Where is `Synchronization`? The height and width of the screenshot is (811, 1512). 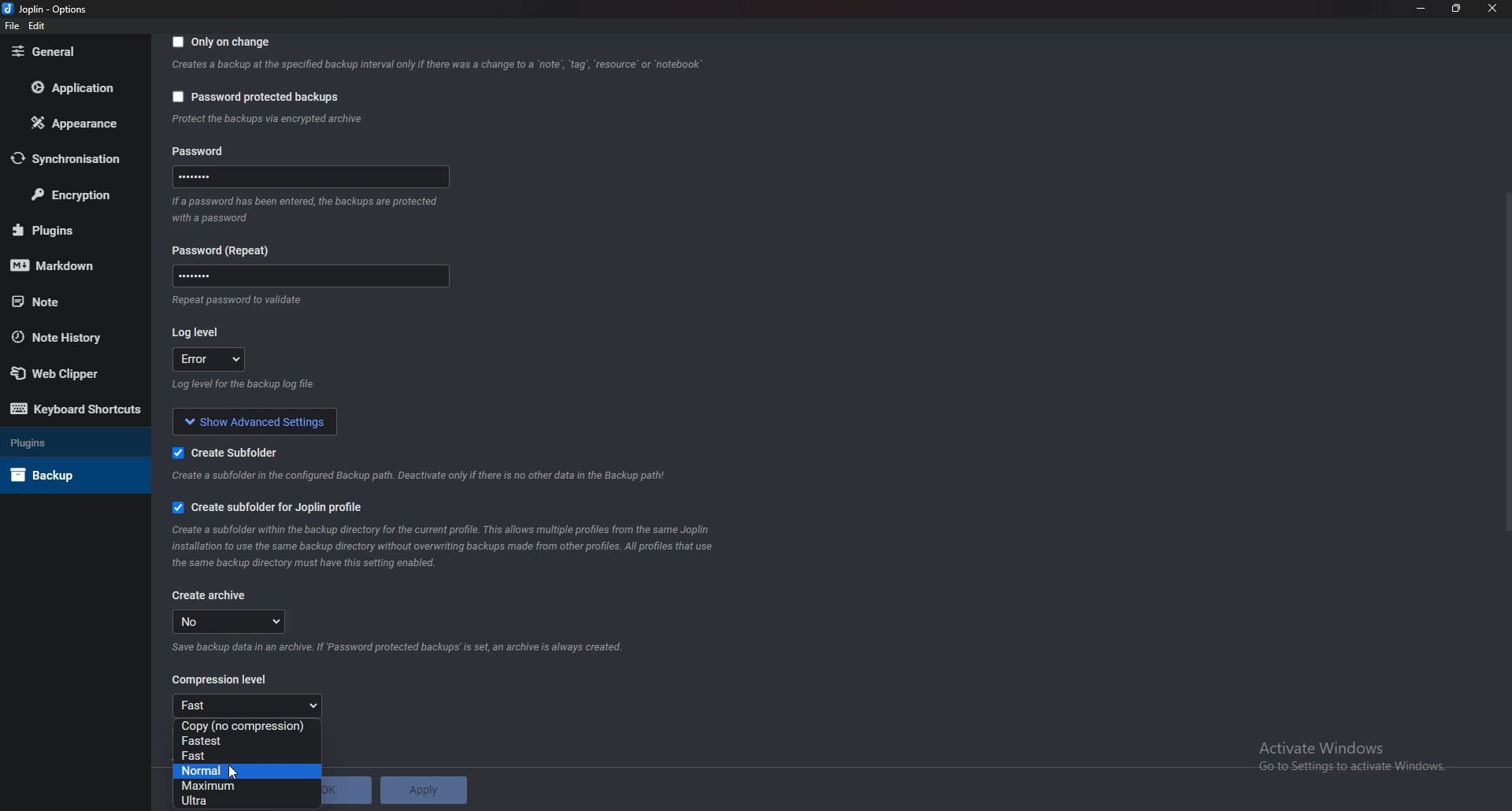
Synchronization is located at coordinates (71, 157).